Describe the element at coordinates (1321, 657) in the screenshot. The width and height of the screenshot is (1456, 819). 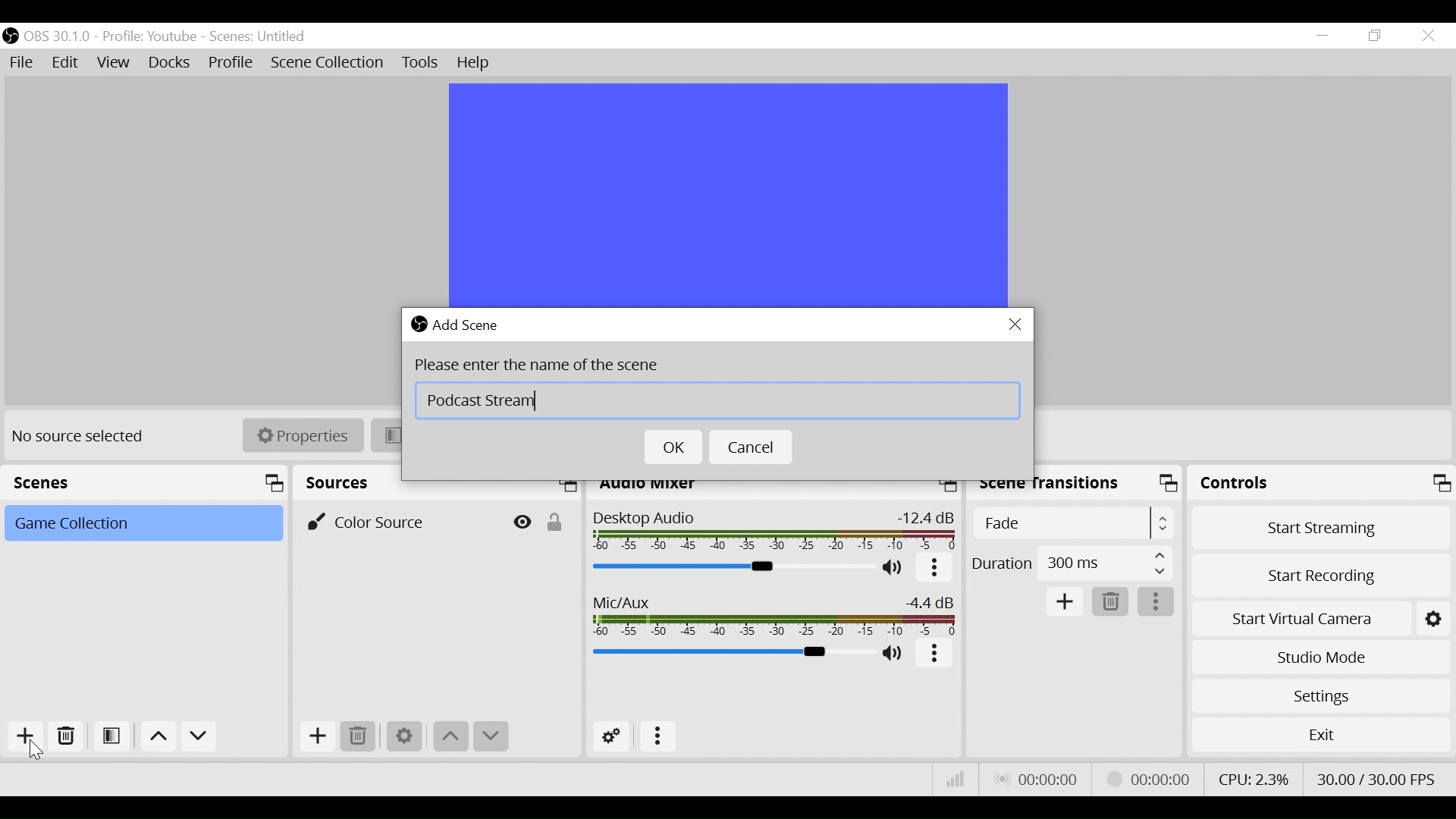
I see `Studio Mode` at that location.